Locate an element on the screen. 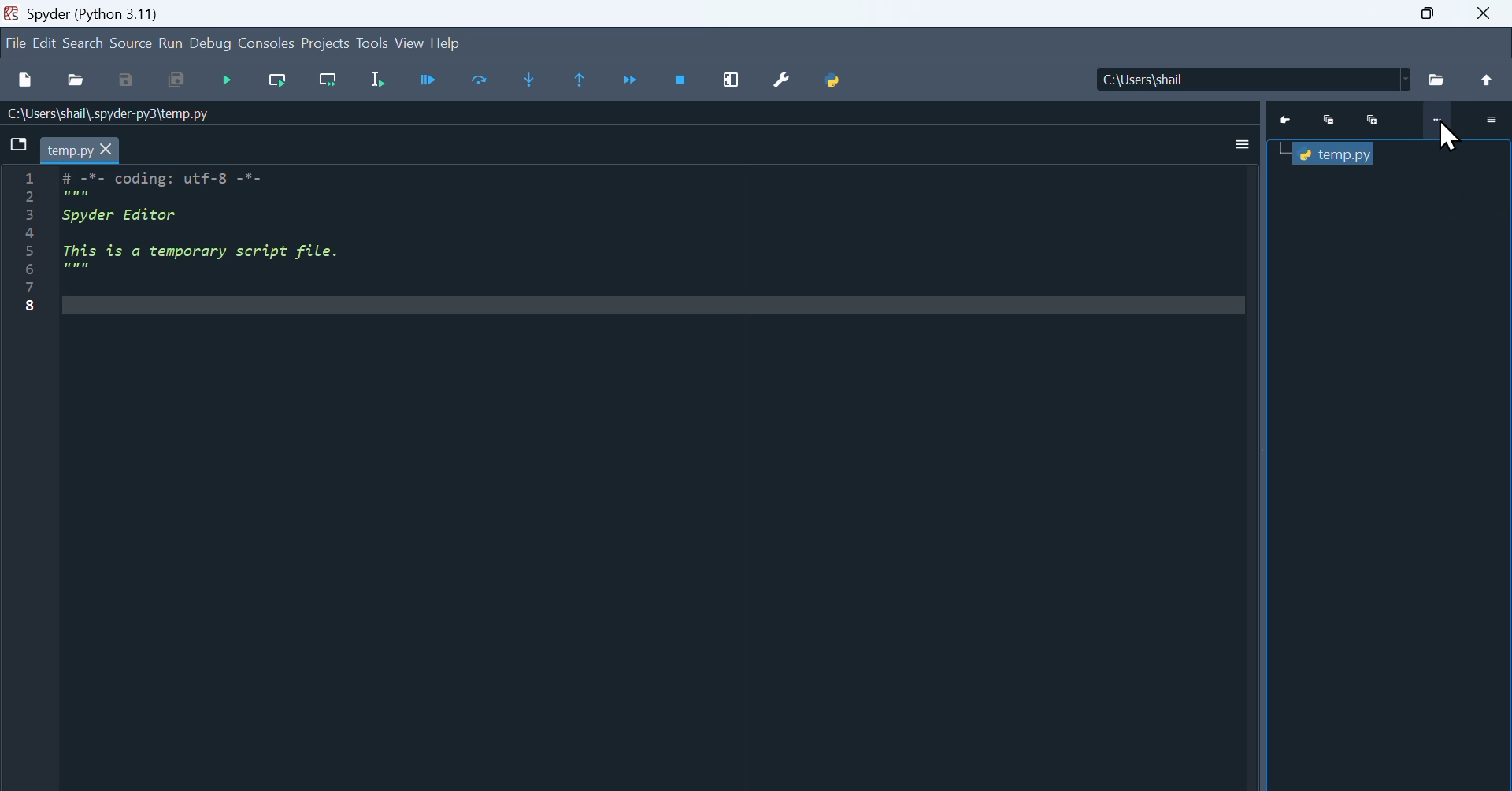  Cursor is located at coordinates (1448, 137).